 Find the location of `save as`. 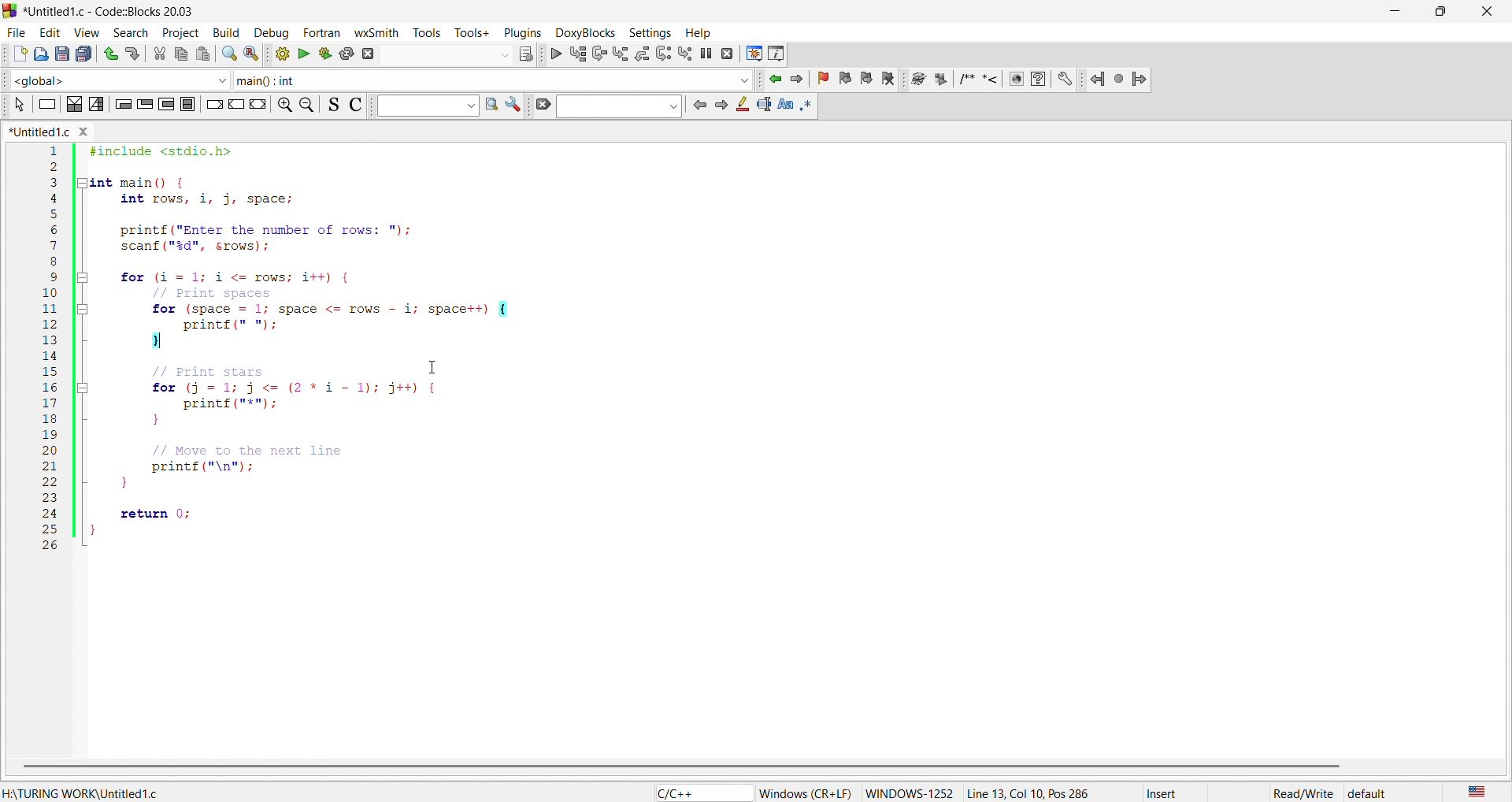

save as is located at coordinates (61, 54).